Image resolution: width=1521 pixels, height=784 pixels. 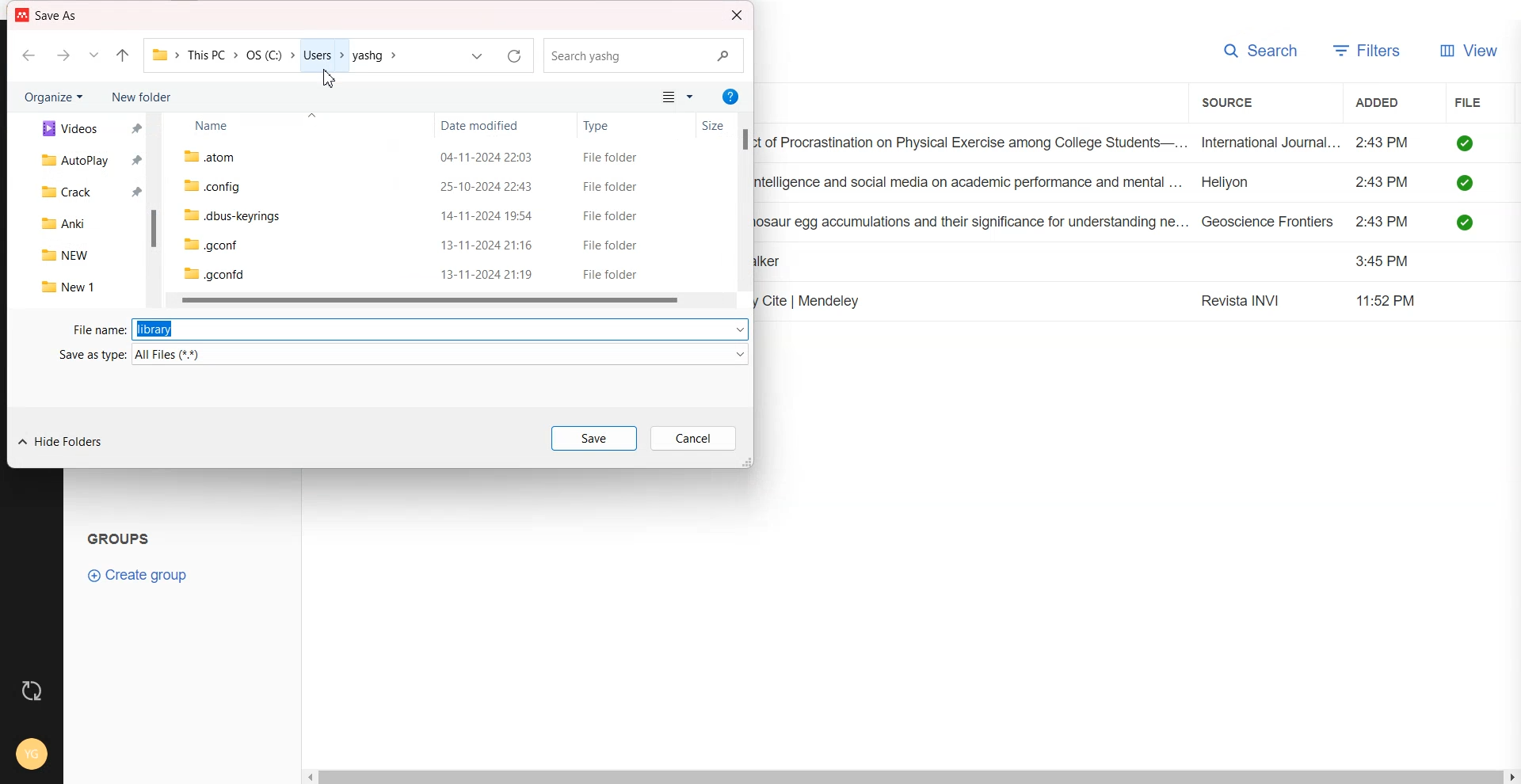 What do you see at coordinates (1467, 143) in the screenshot?
I see `saved` at bounding box center [1467, 143].